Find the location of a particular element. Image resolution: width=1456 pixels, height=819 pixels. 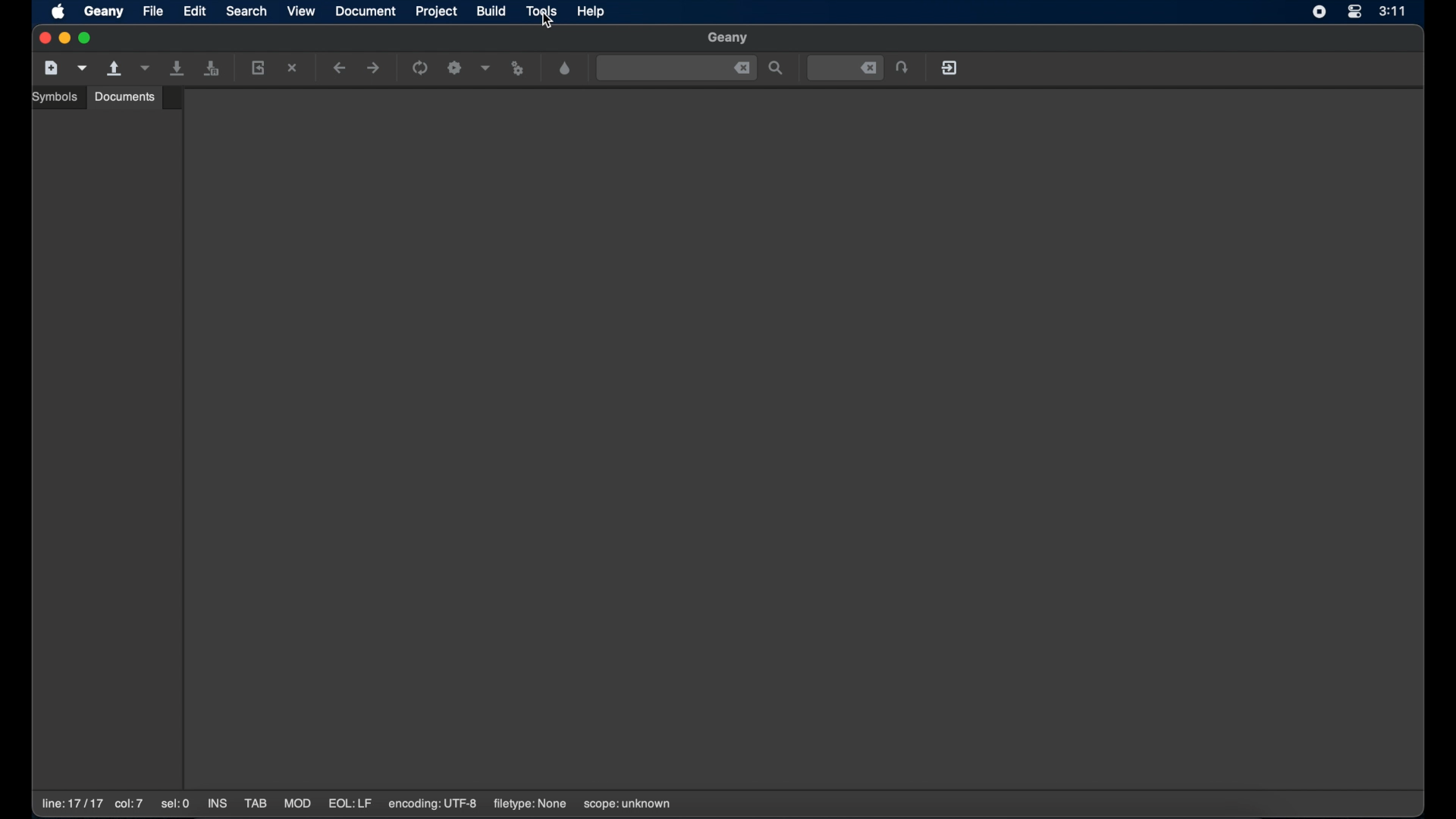

navigate forward a location is located at coordinates (374, 68).